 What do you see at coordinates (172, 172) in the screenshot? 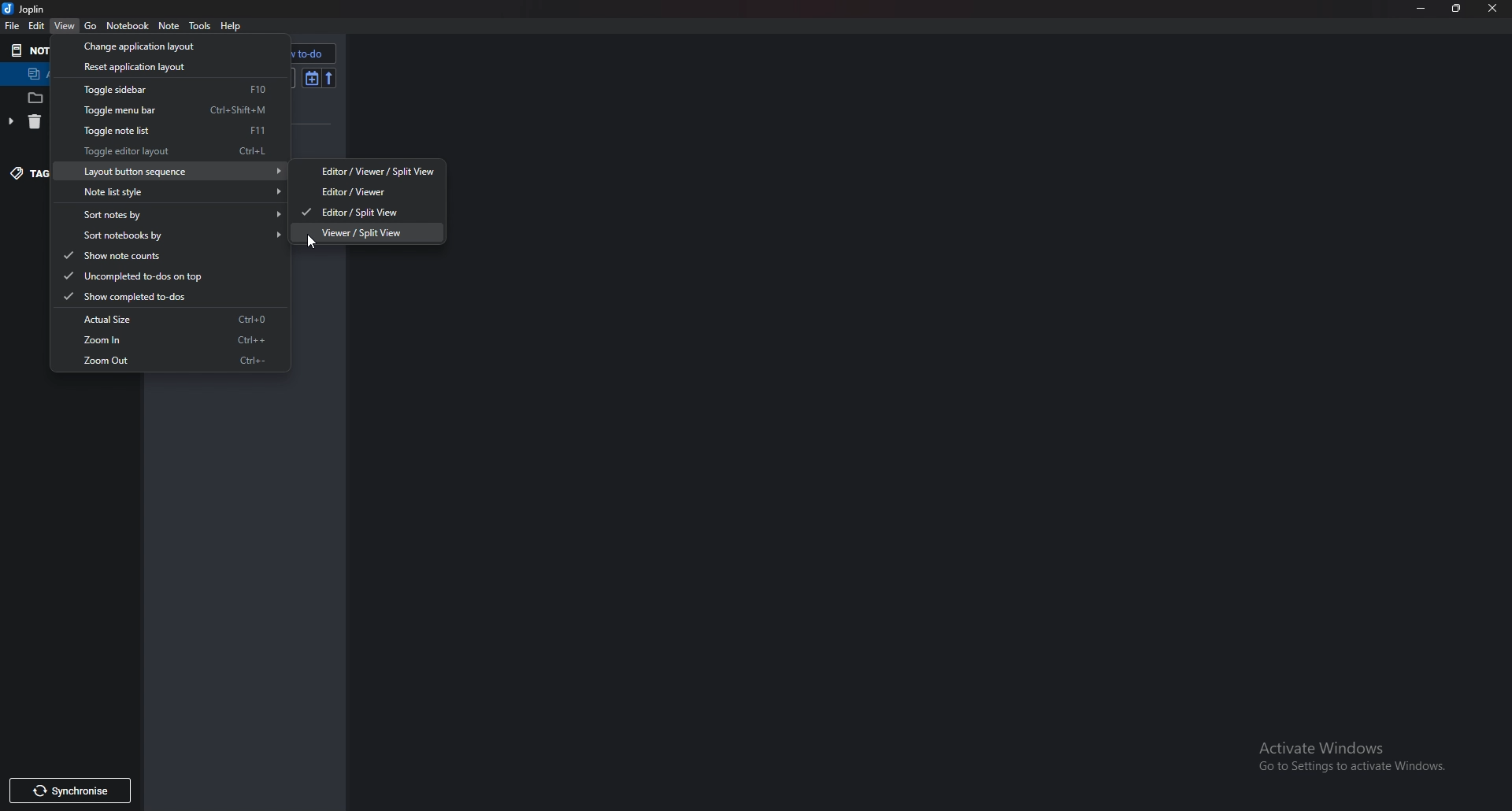
I see `Layout button sequence` at bounding box center [172, 172].